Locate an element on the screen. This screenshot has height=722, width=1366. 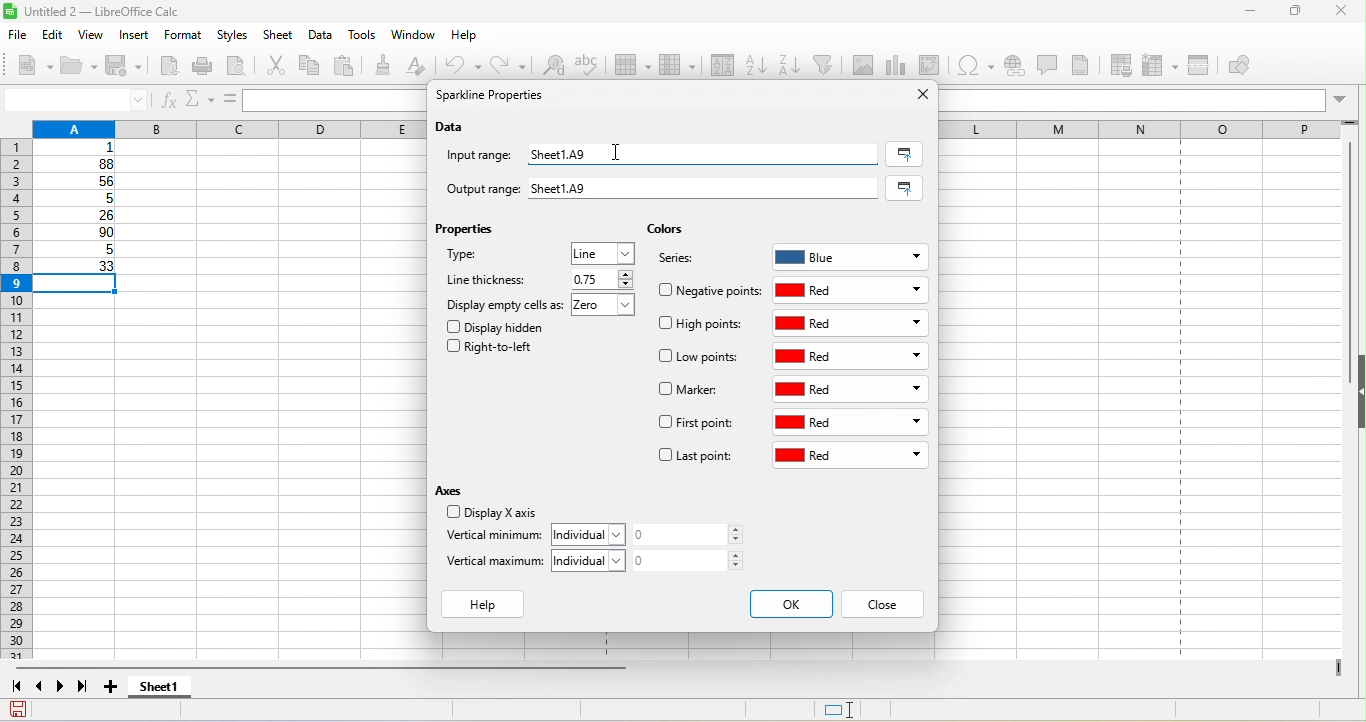
new is located at coordinates (28, 64).